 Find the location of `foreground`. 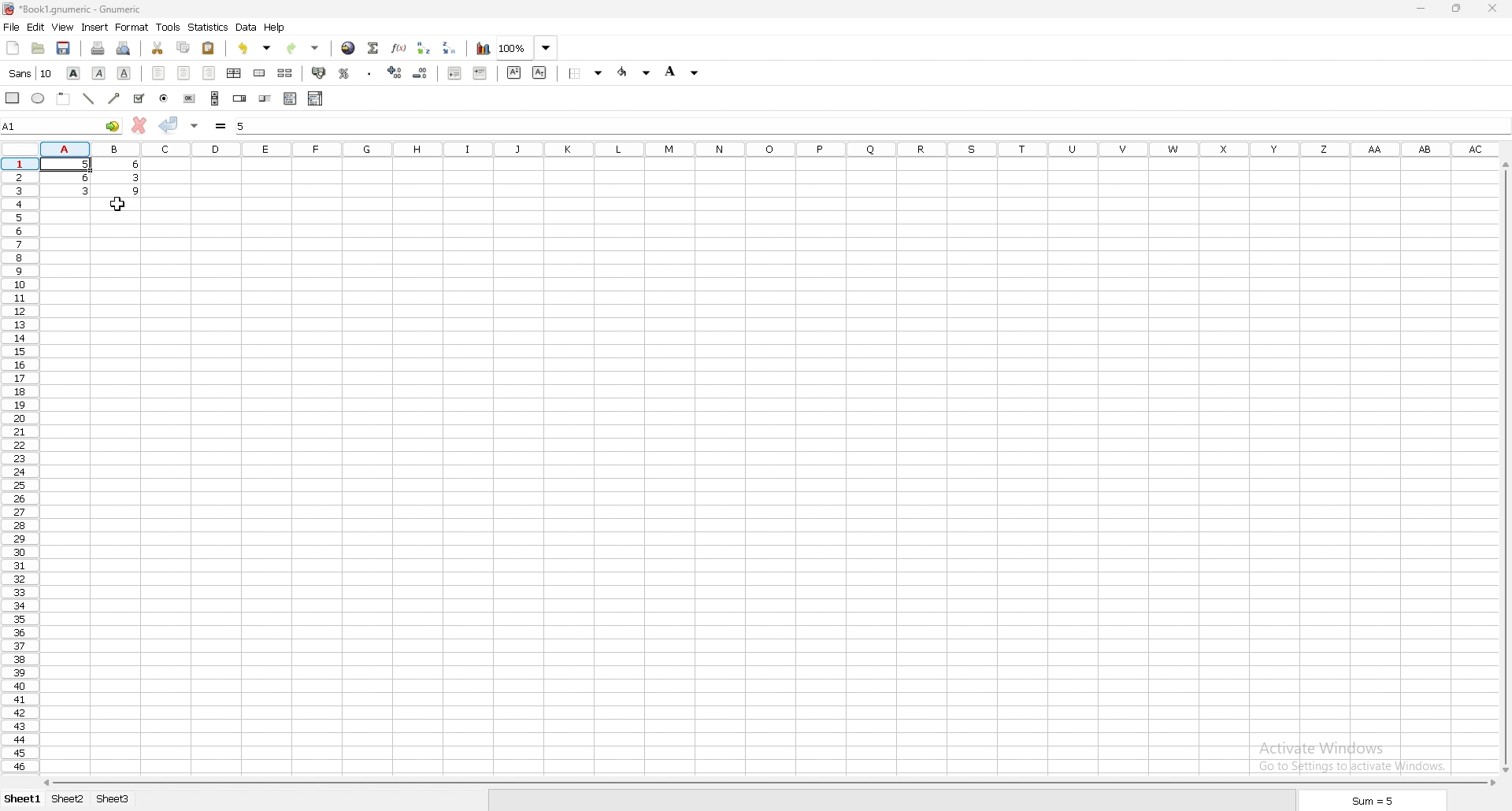

foreground is located at coordinates (685, 72).